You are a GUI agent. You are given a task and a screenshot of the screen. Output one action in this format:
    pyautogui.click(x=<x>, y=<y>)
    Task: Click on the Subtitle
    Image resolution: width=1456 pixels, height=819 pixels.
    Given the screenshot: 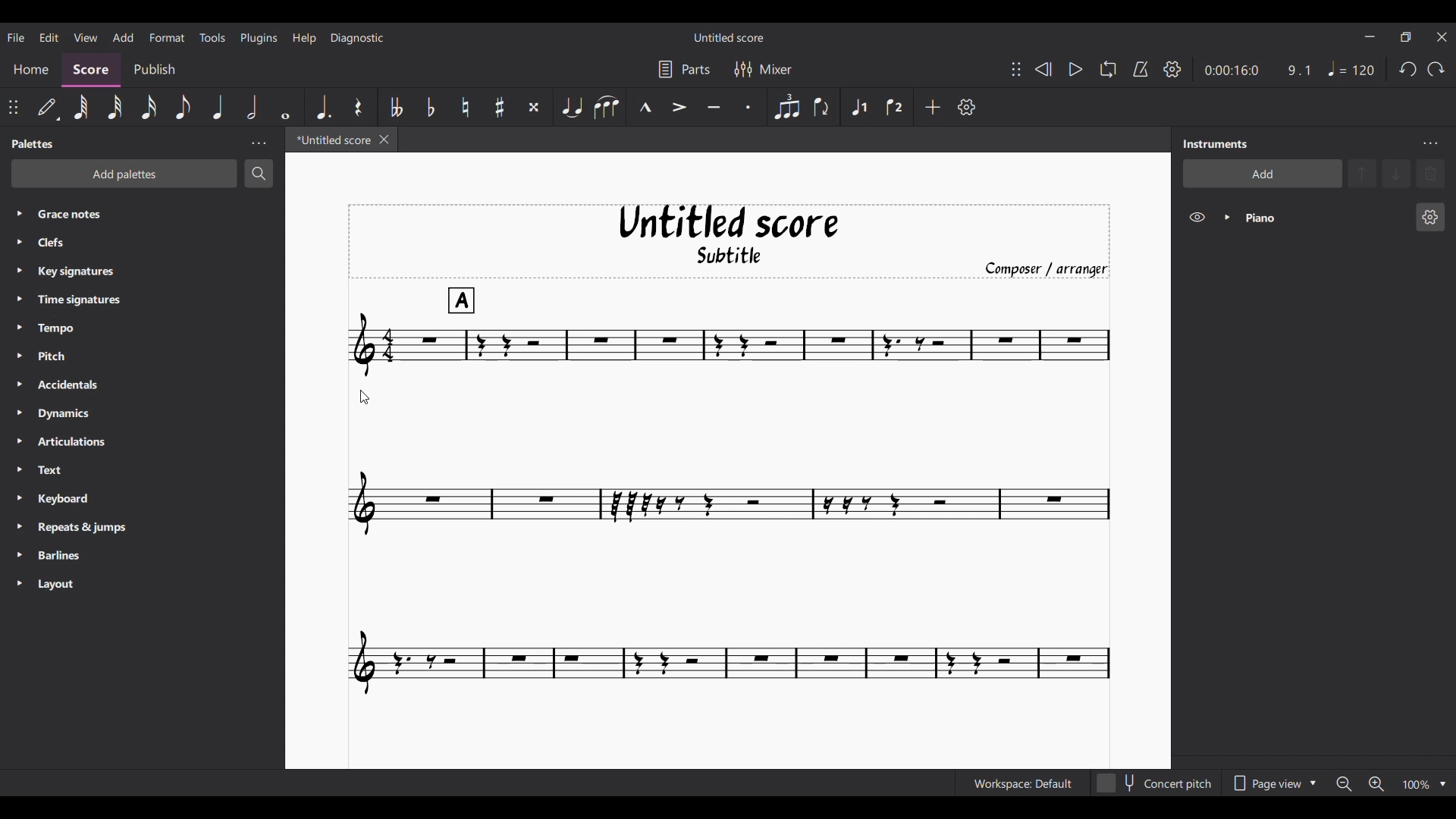 What is the action you would take?
    pyautogui.click(x=745, y=255)
    